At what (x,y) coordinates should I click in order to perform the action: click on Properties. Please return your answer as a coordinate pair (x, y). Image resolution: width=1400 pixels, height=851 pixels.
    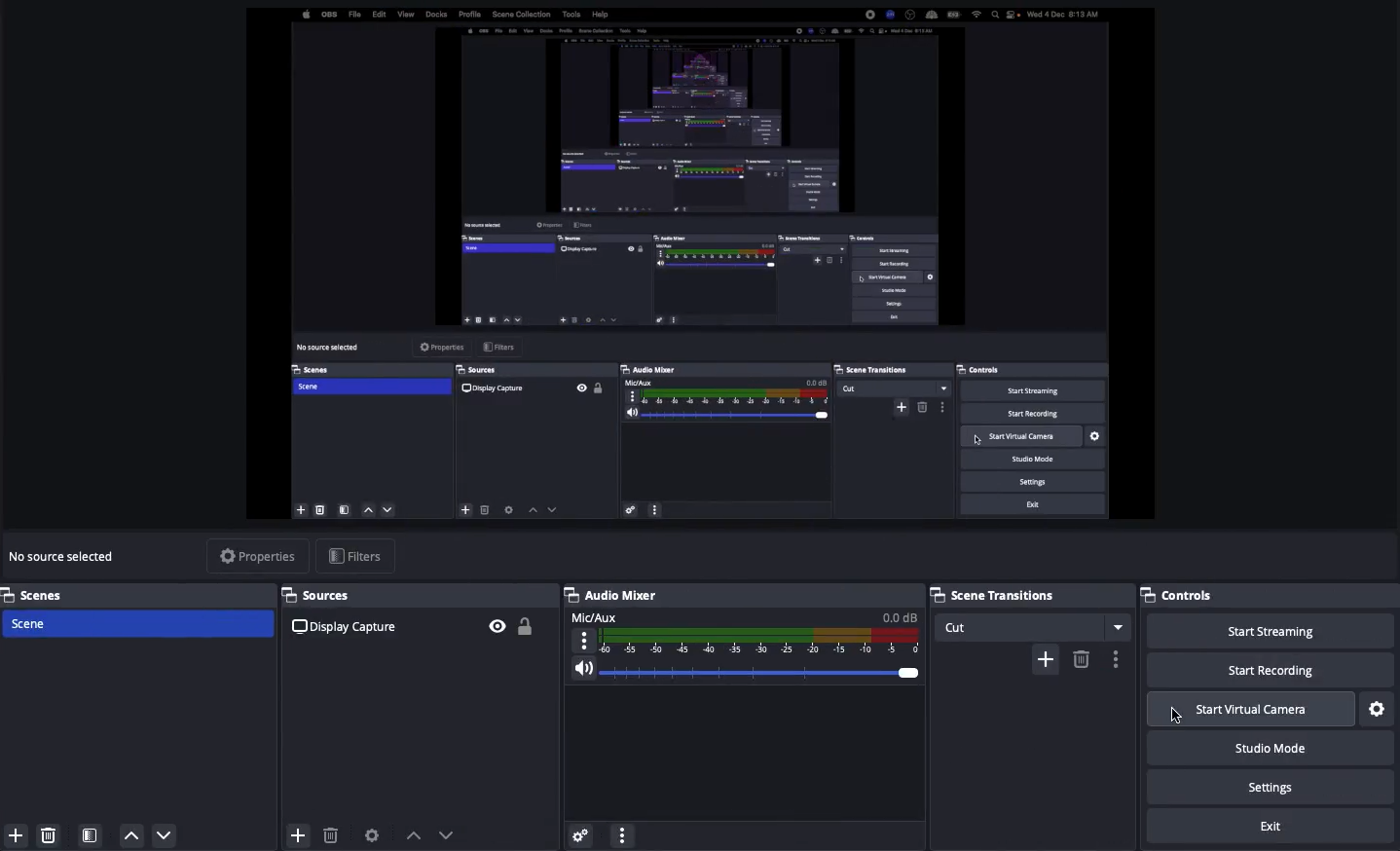
    Looking at the image, I should click on (258, 553).